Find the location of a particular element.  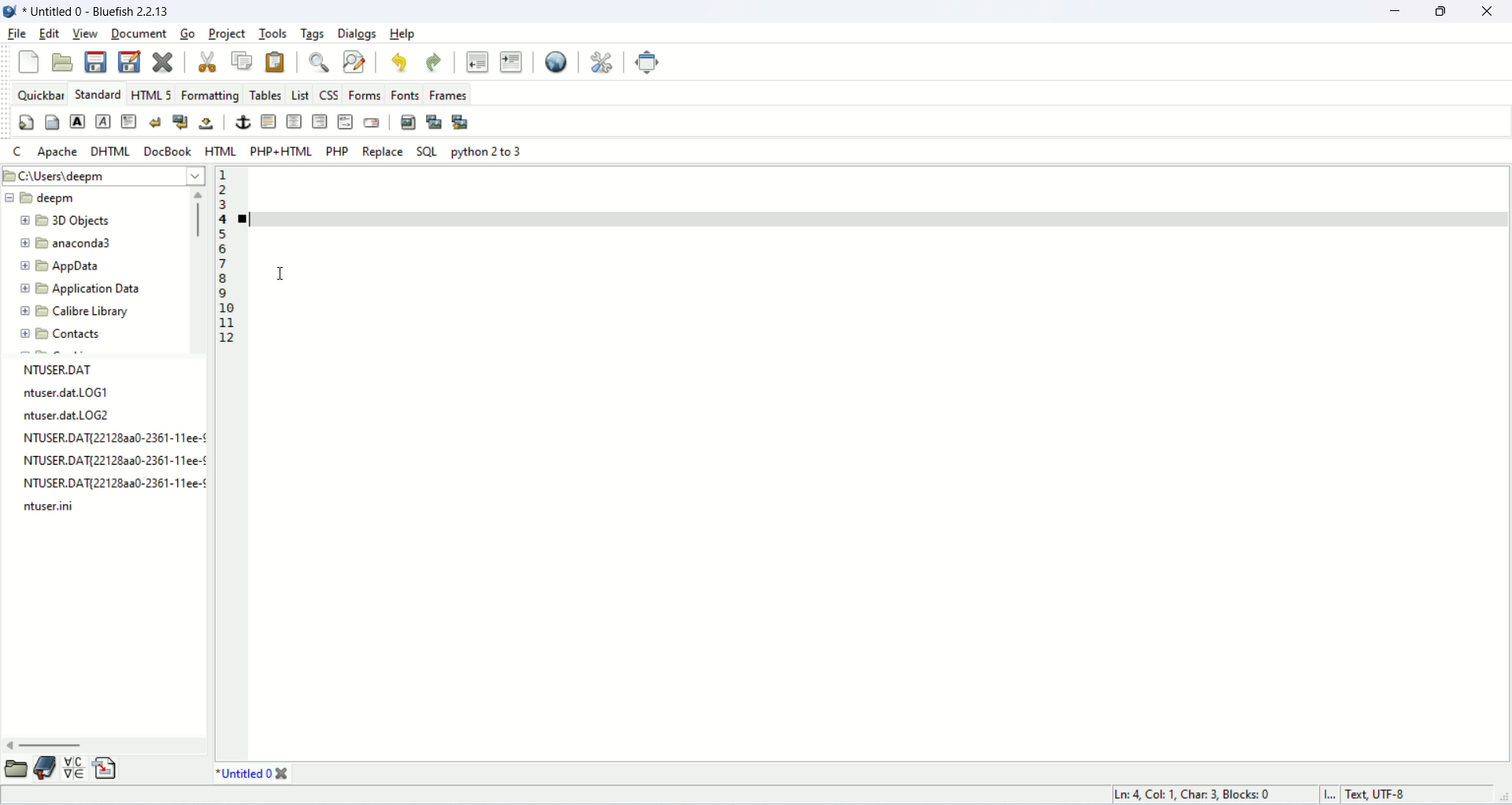

paste is located at coordinates (276, 62).